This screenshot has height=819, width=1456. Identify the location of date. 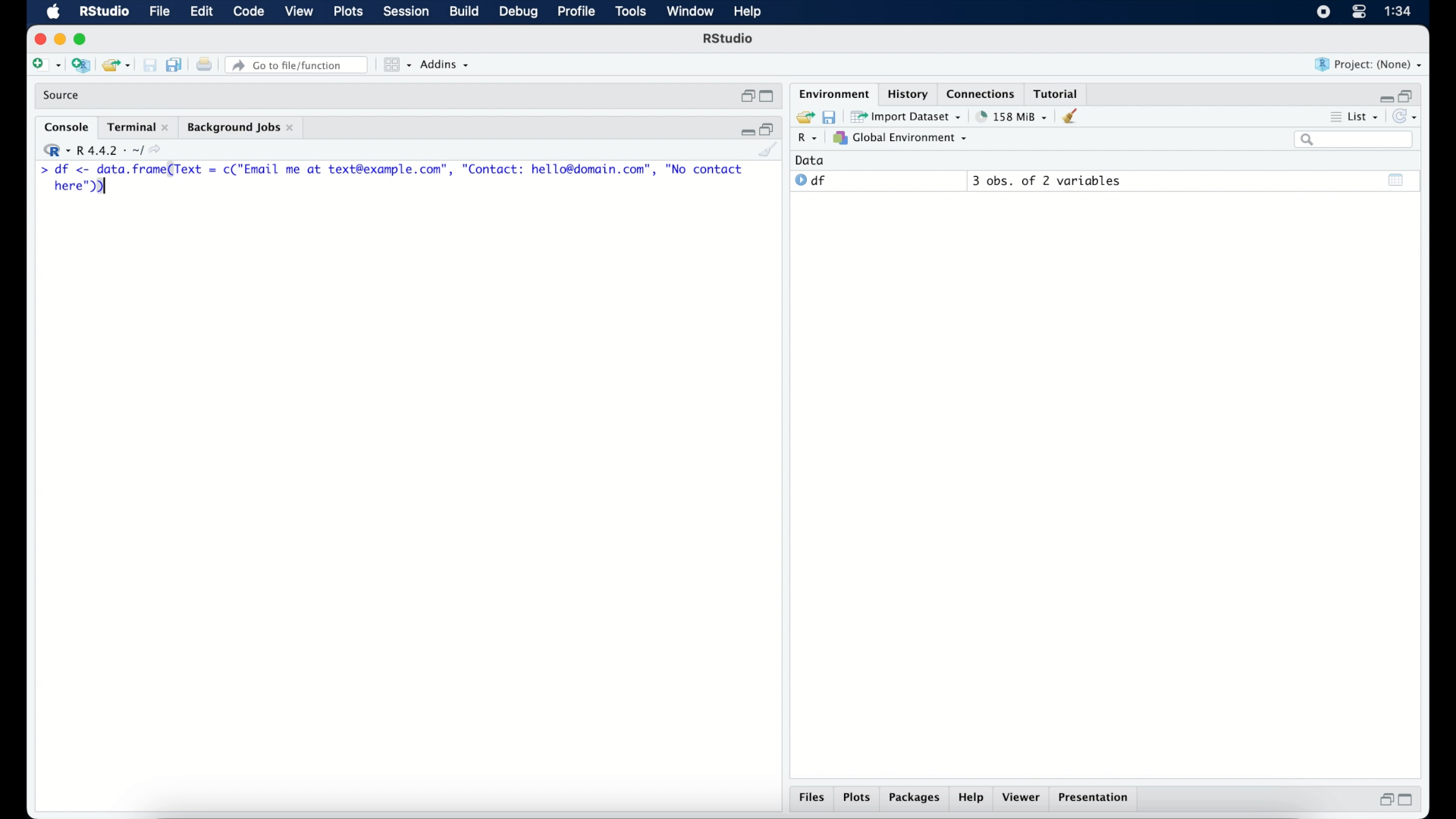
(811, 160).